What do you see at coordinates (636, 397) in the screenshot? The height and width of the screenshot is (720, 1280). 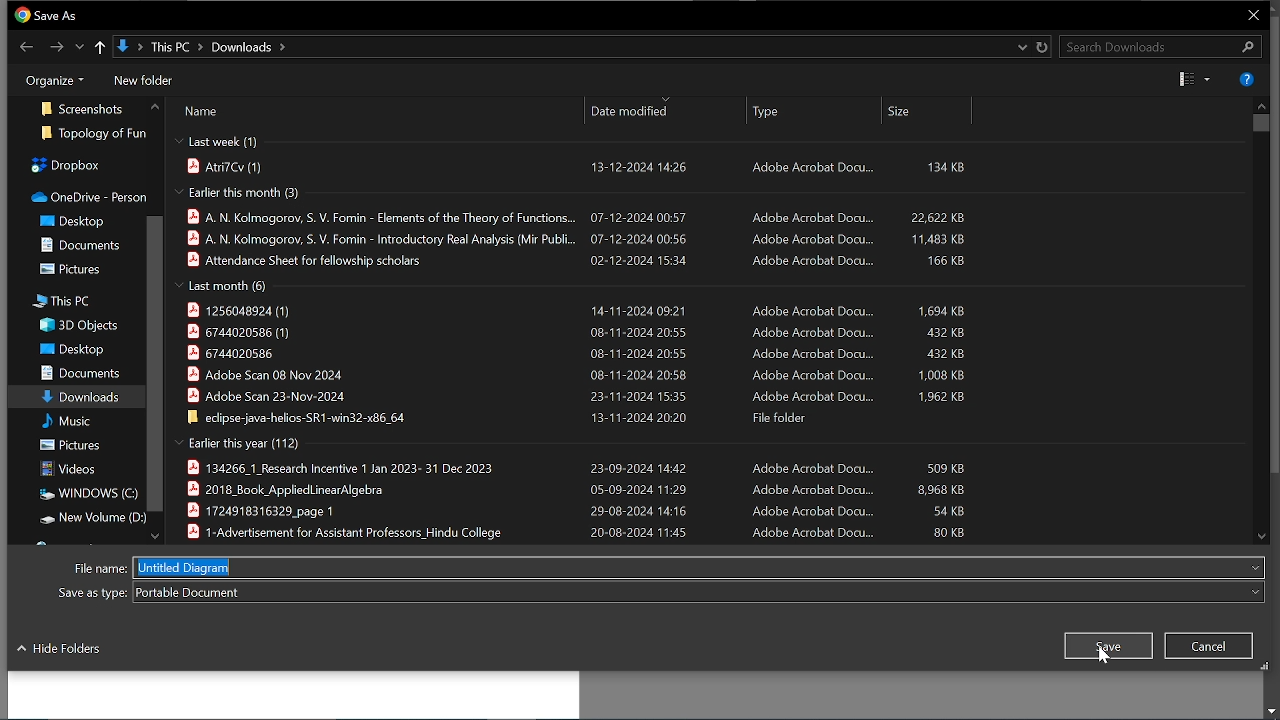 I see `23-11-2024 15:35` at bounding box center [636, 397].